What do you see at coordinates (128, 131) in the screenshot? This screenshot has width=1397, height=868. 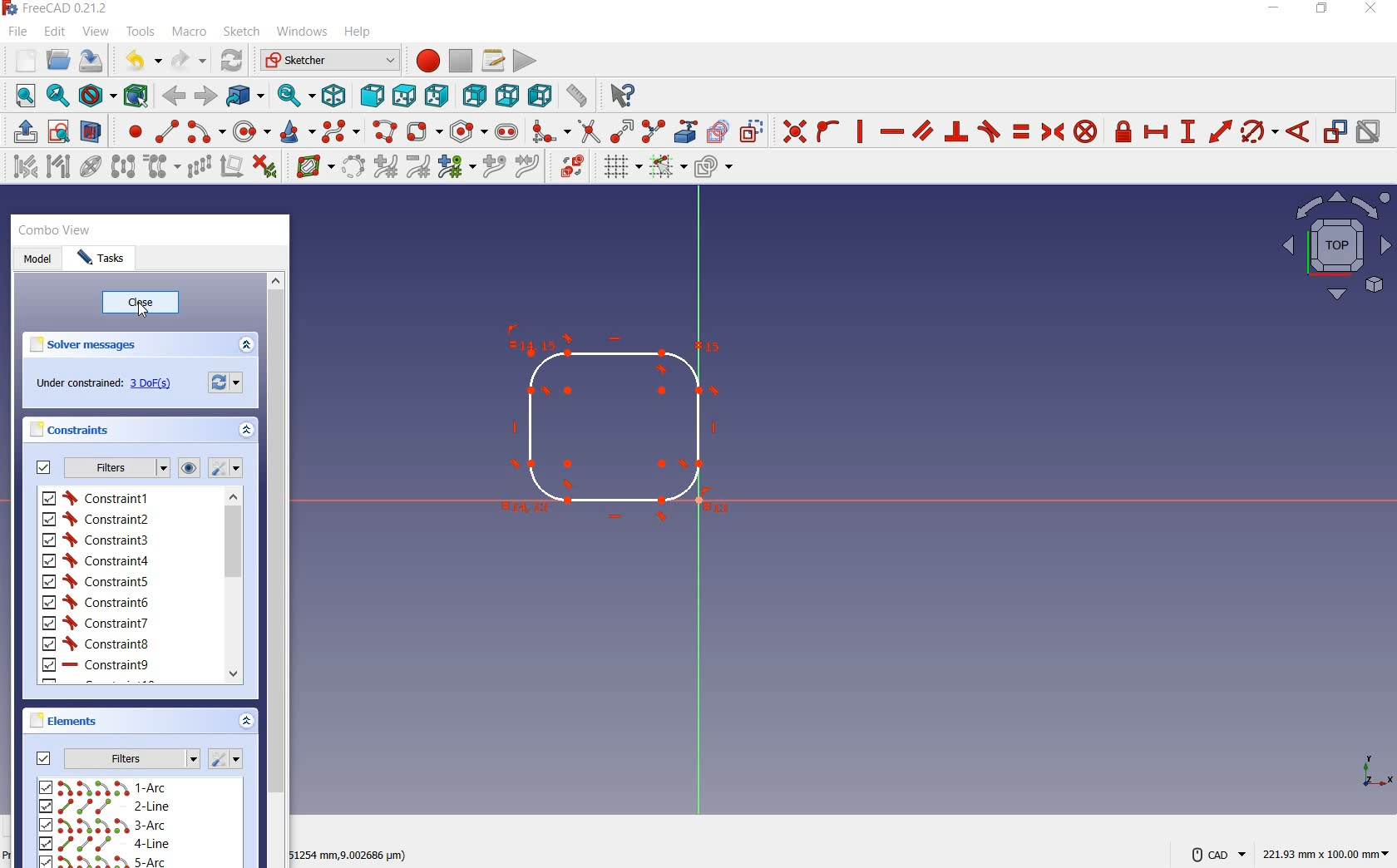 I see `create point` at bounding box center [128, 131].